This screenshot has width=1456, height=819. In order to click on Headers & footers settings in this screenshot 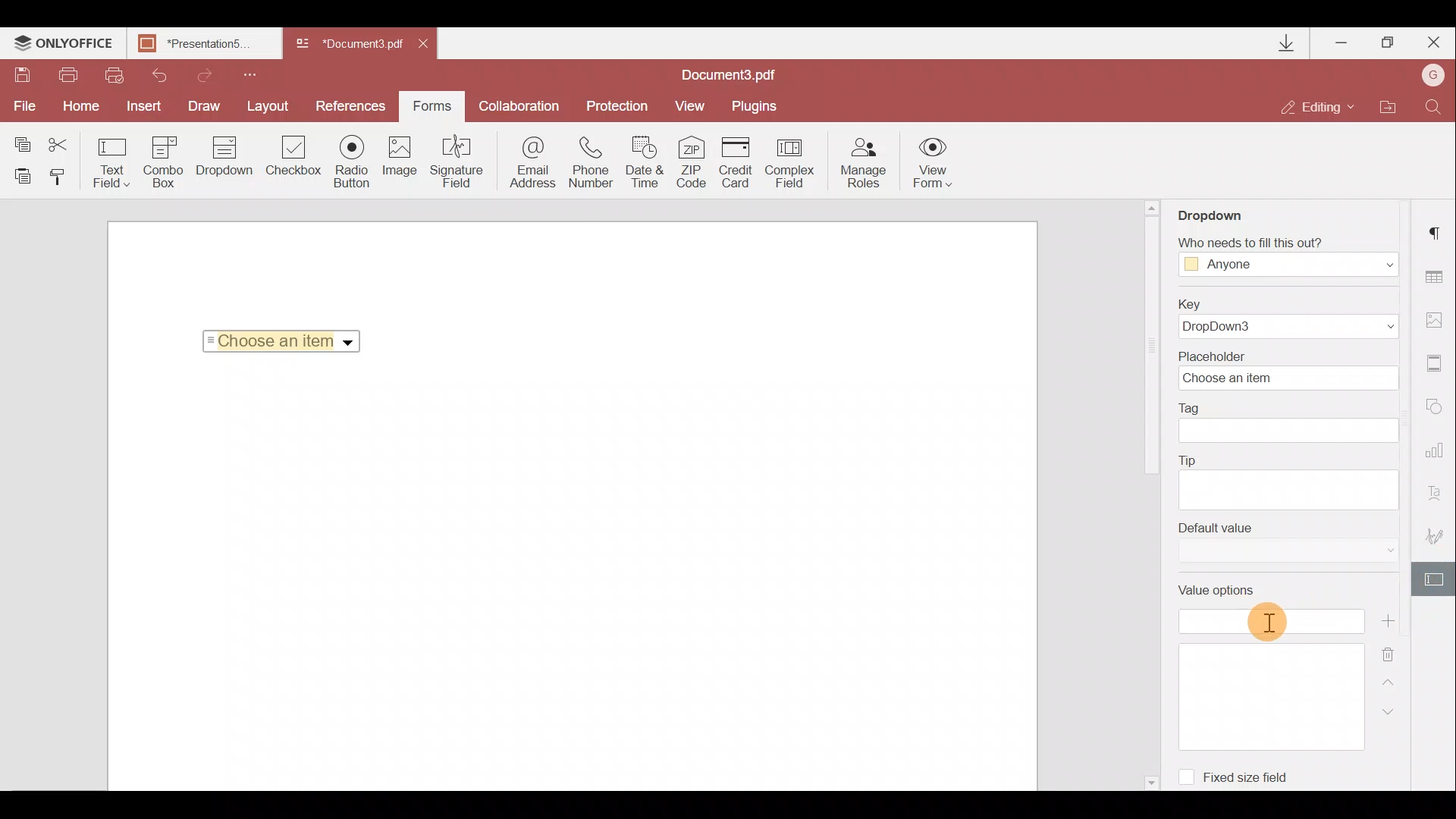, I will do `click(1439, 364)`.